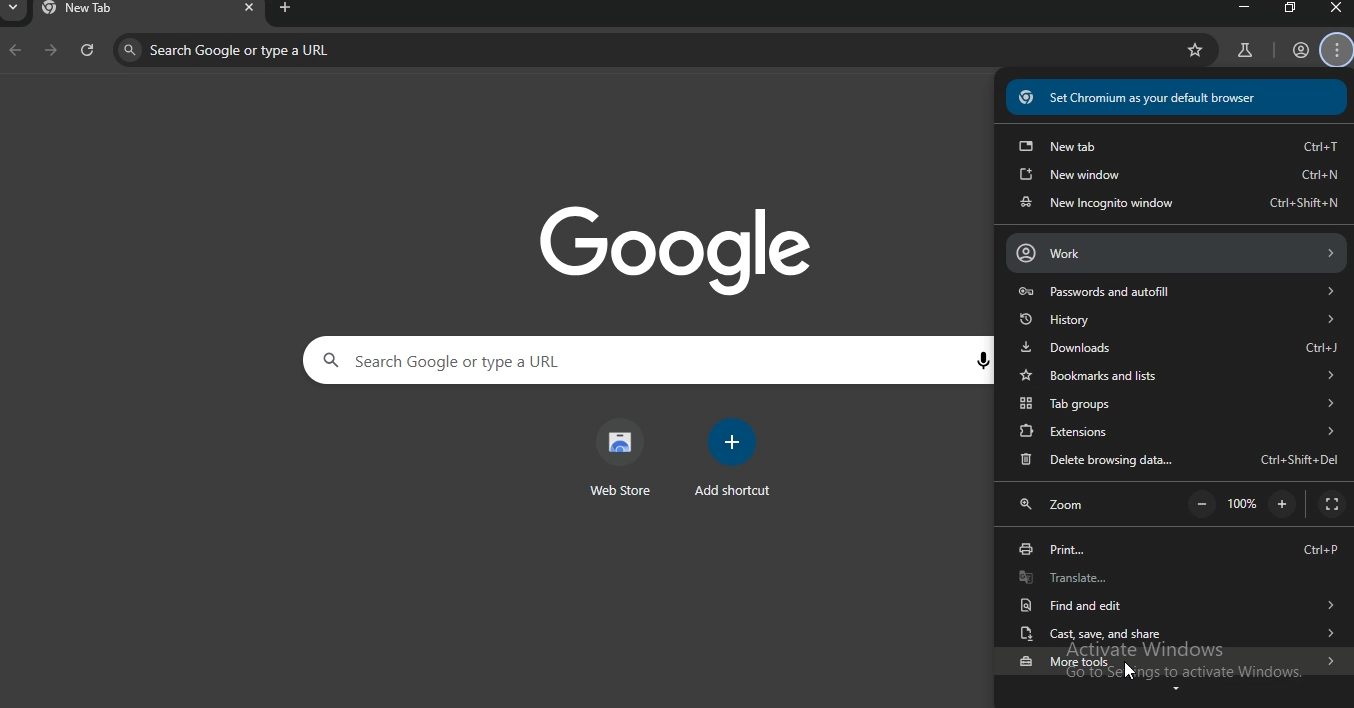 The width and height of the screenshot is (1354, 708). I want to click on minimize, so click(1236, 8).